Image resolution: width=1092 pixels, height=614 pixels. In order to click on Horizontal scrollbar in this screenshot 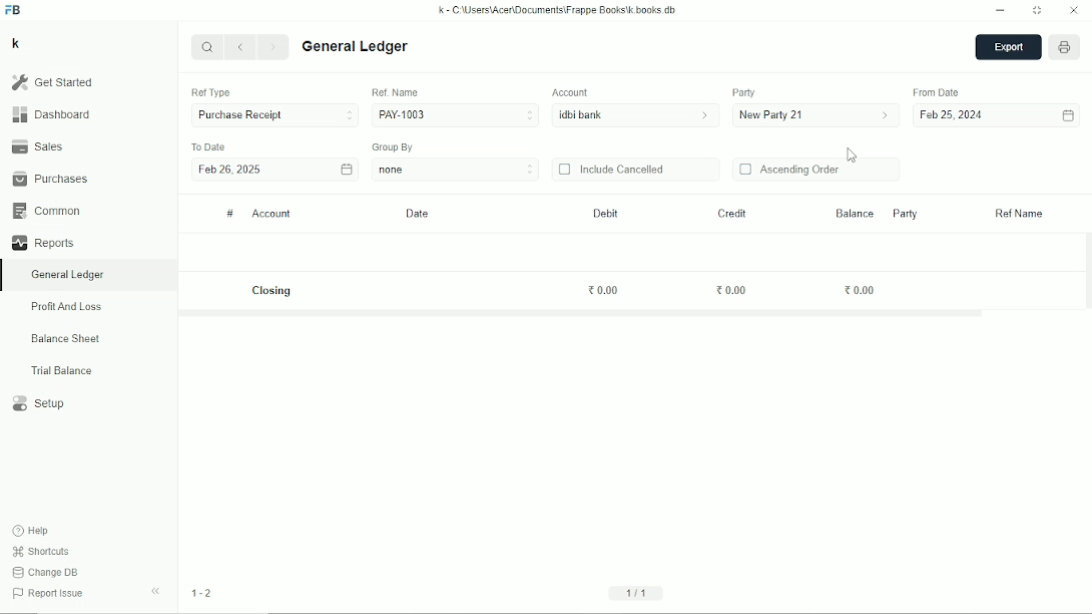, I will do `click(582, 314)`.